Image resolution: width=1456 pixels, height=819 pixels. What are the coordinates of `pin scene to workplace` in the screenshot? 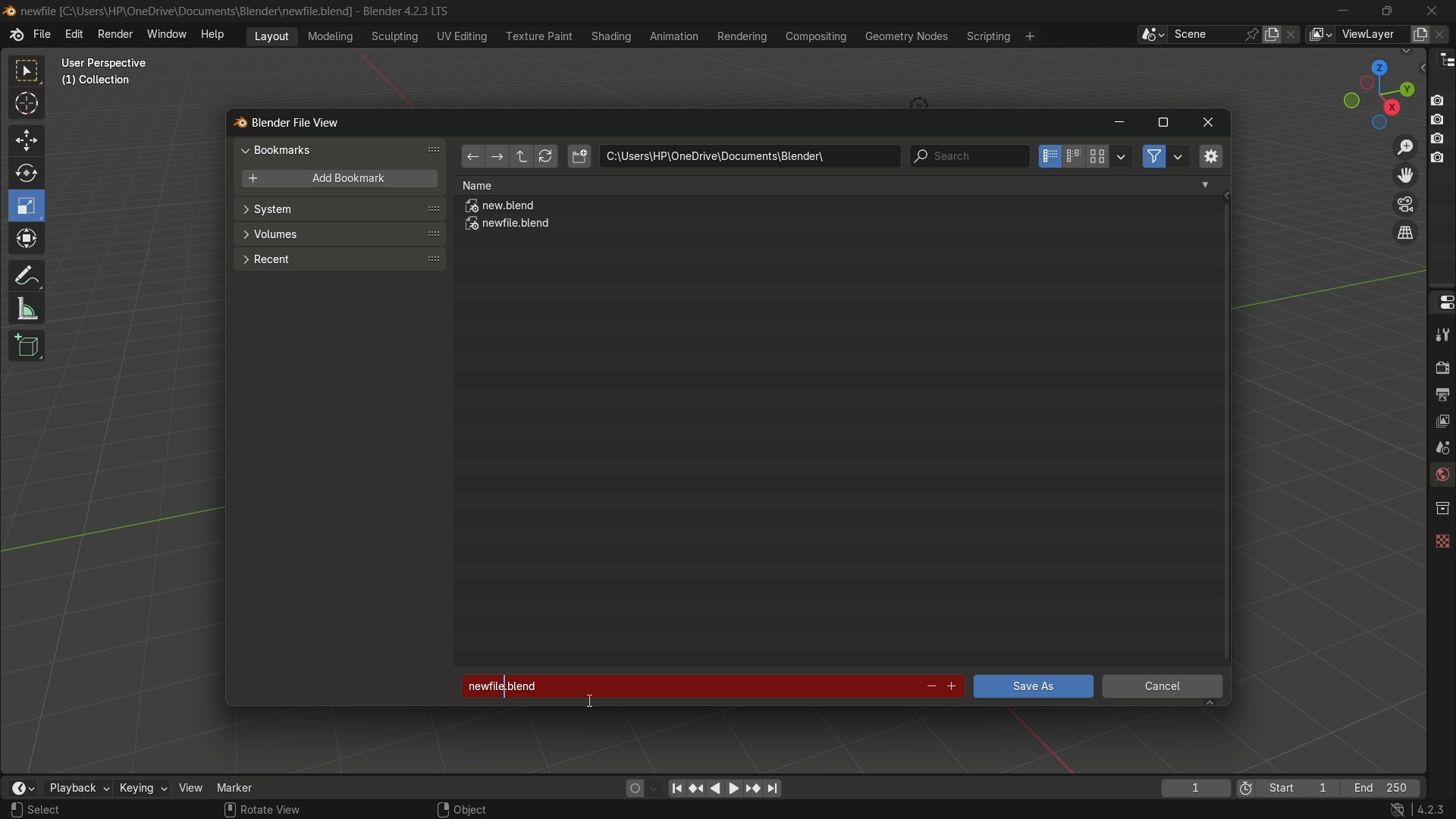 It's located at (1254, 34).